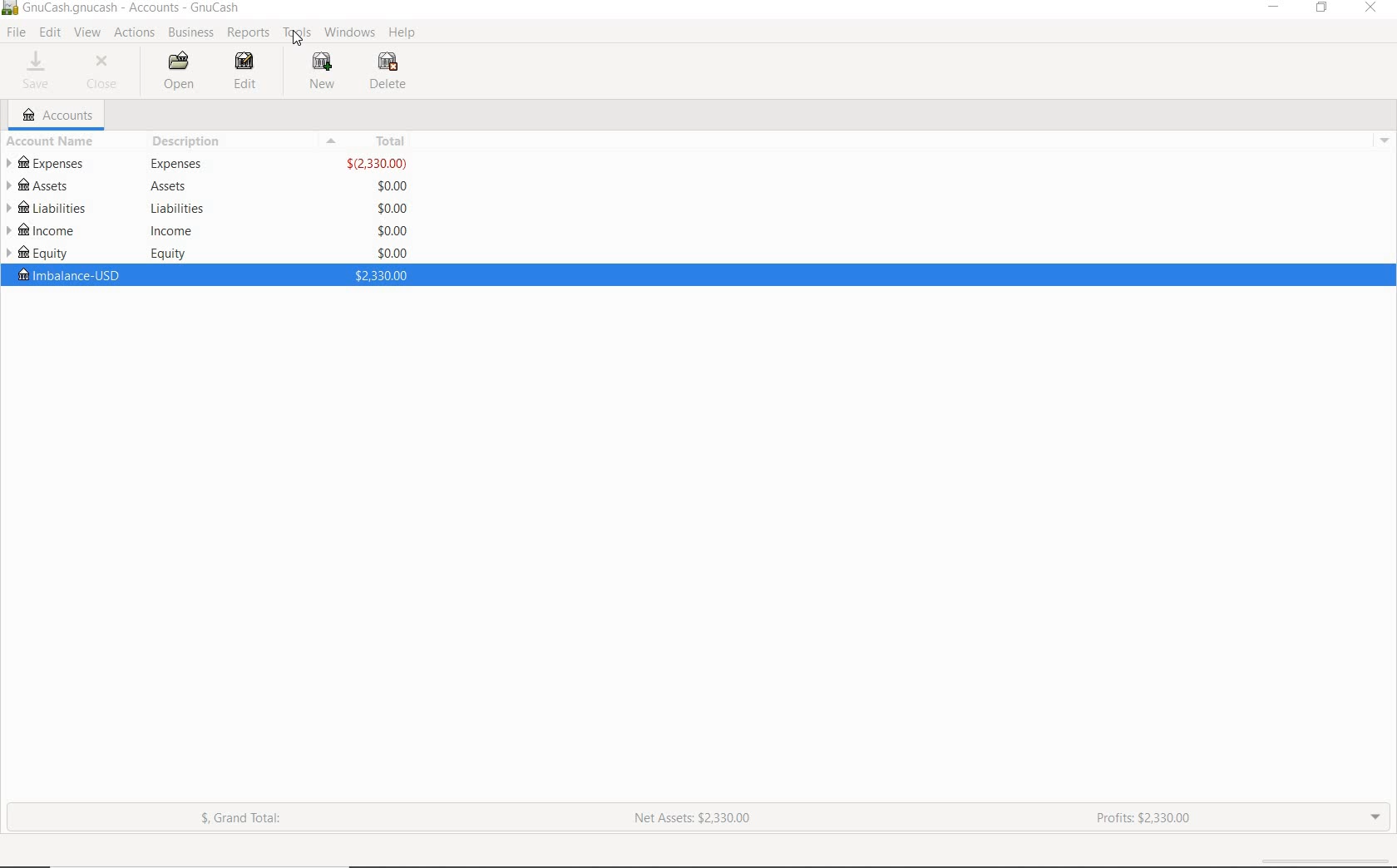 This screenshot has width=1397, height=868. I want to click on CLOSE, so click(106, 71).